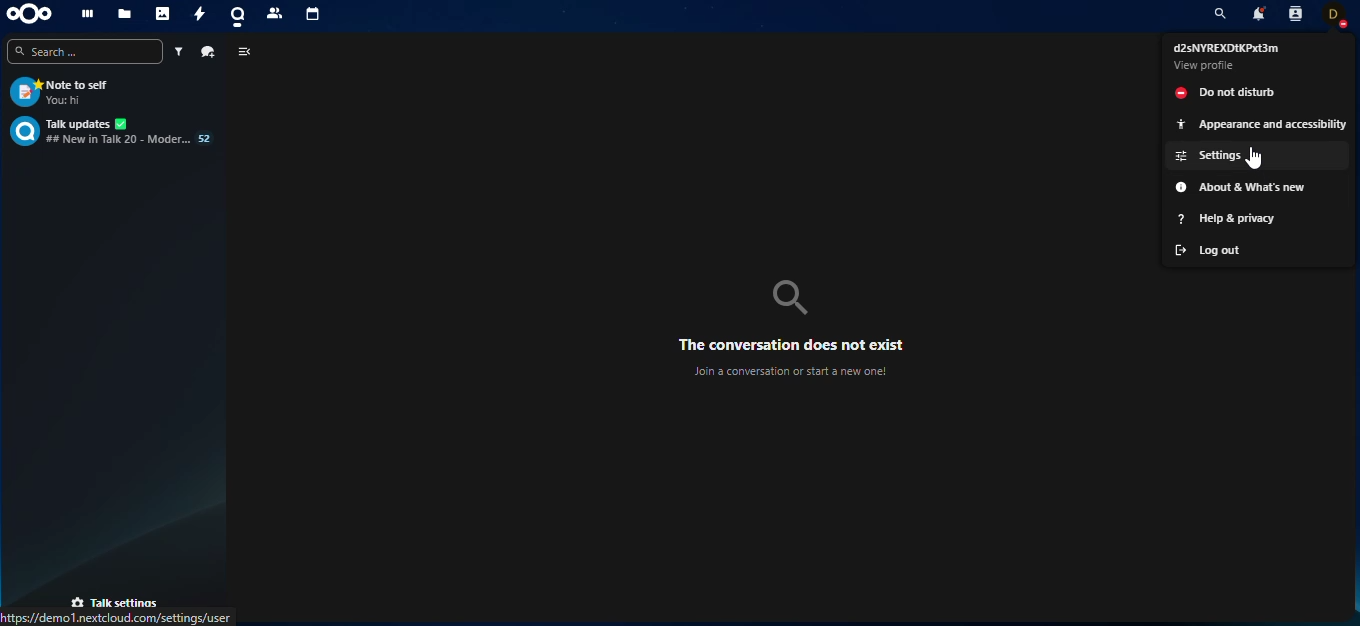 The height and width of the screenshot is (626, 1360). I want to click on activity, so click(197, 15).